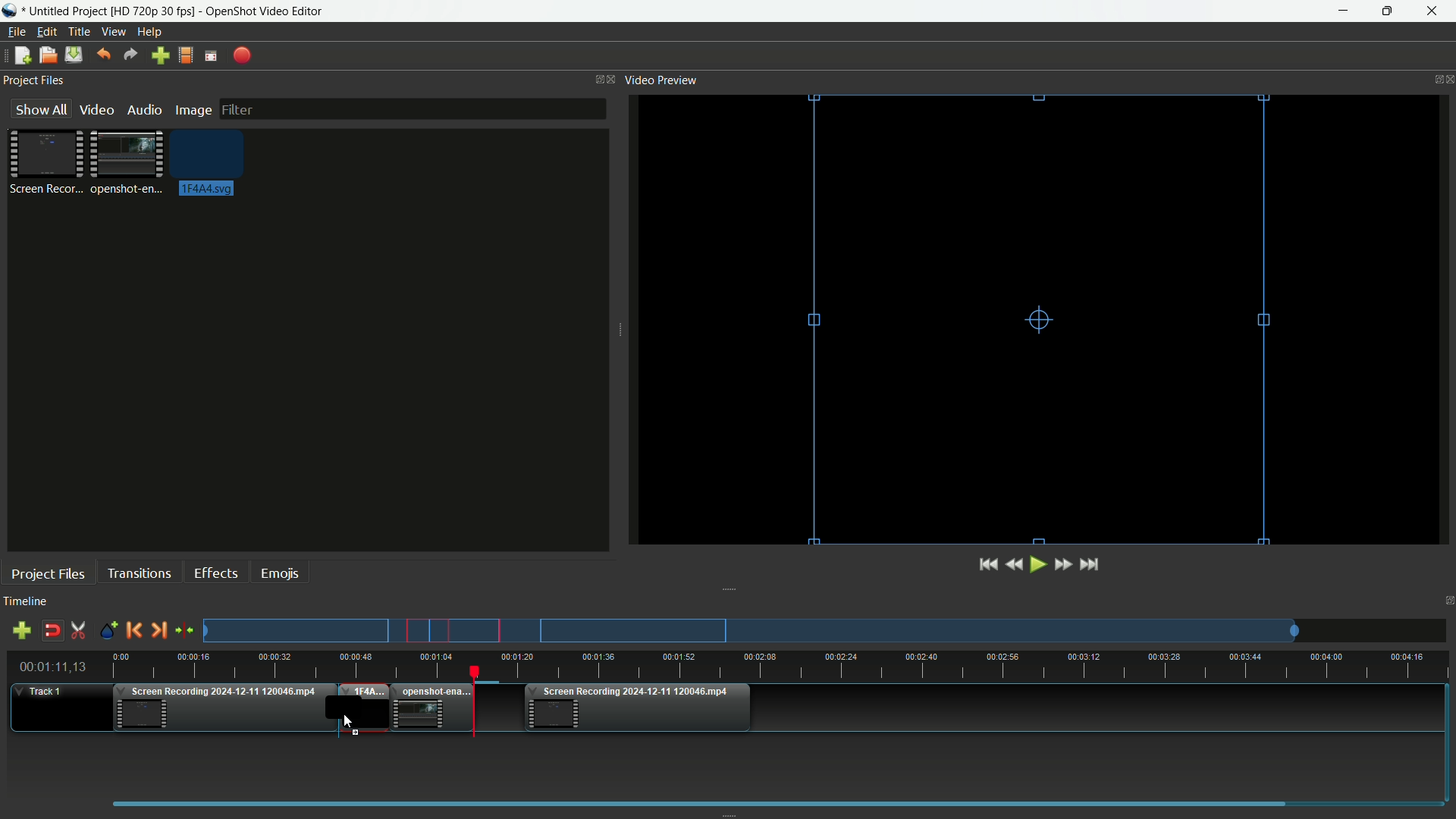 This screenshot has height=819, width=1456. I want to click on Close project files, so click(613, 79).